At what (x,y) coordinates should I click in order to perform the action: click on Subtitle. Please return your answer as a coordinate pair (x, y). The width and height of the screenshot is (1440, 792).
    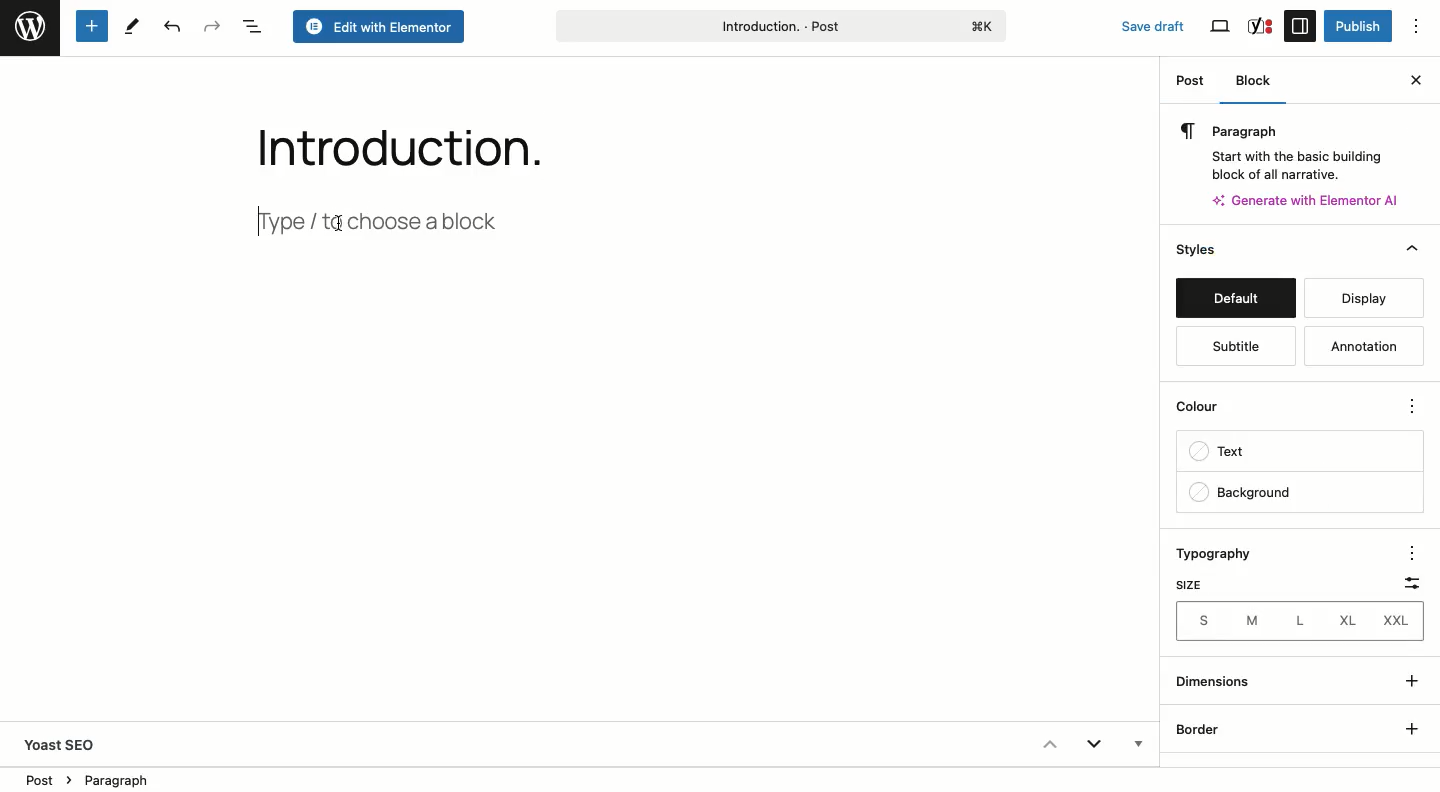
    Looking at the image, I should click on (1232, 347).